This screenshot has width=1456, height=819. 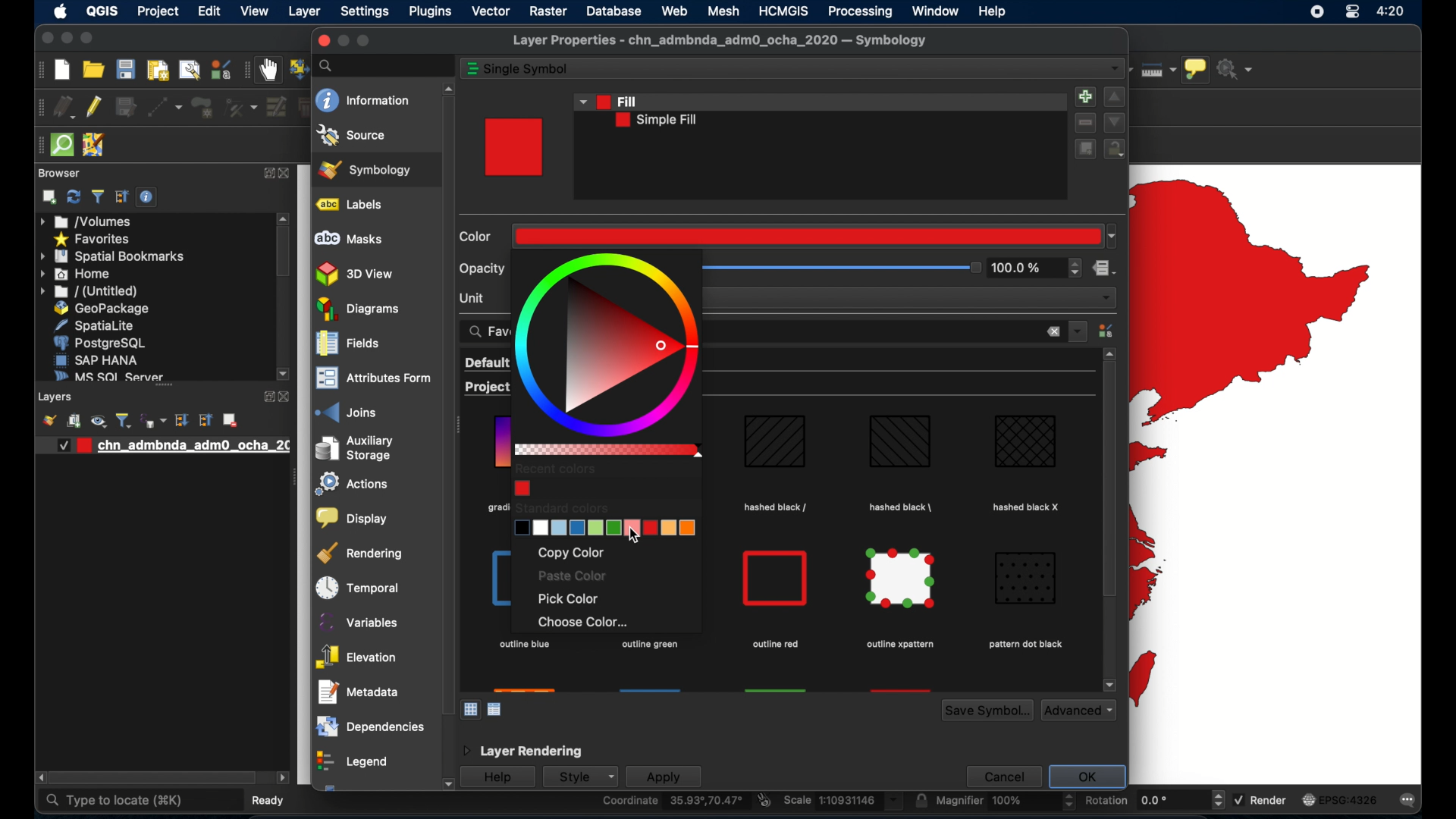 I want to click on scroll box, so click(x=154, y=779).